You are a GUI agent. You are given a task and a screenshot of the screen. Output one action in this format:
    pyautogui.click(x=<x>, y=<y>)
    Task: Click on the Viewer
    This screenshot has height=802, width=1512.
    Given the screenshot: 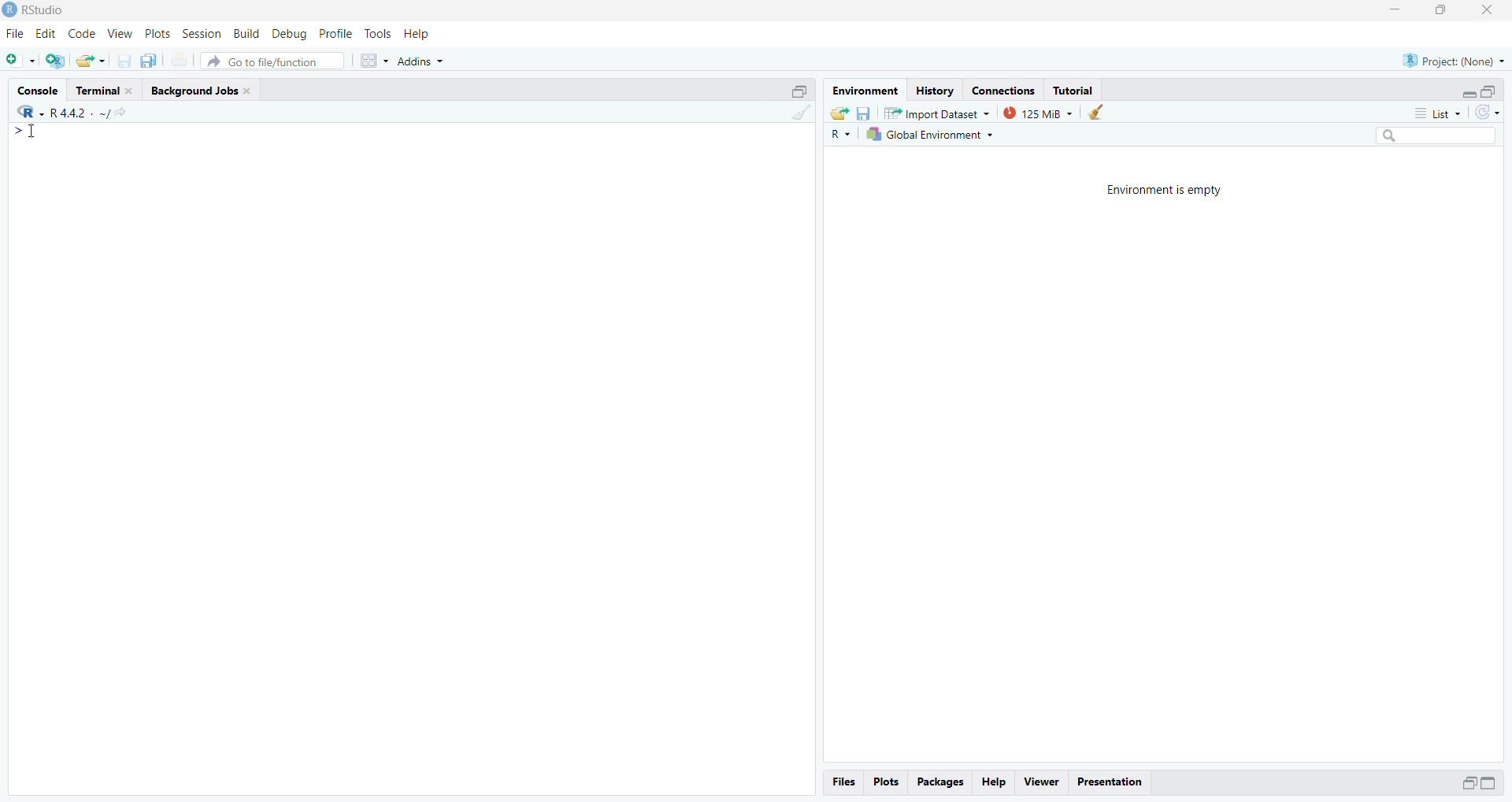 What is the action you would take?
    pyautogui.click(x=1041, y=783)
    